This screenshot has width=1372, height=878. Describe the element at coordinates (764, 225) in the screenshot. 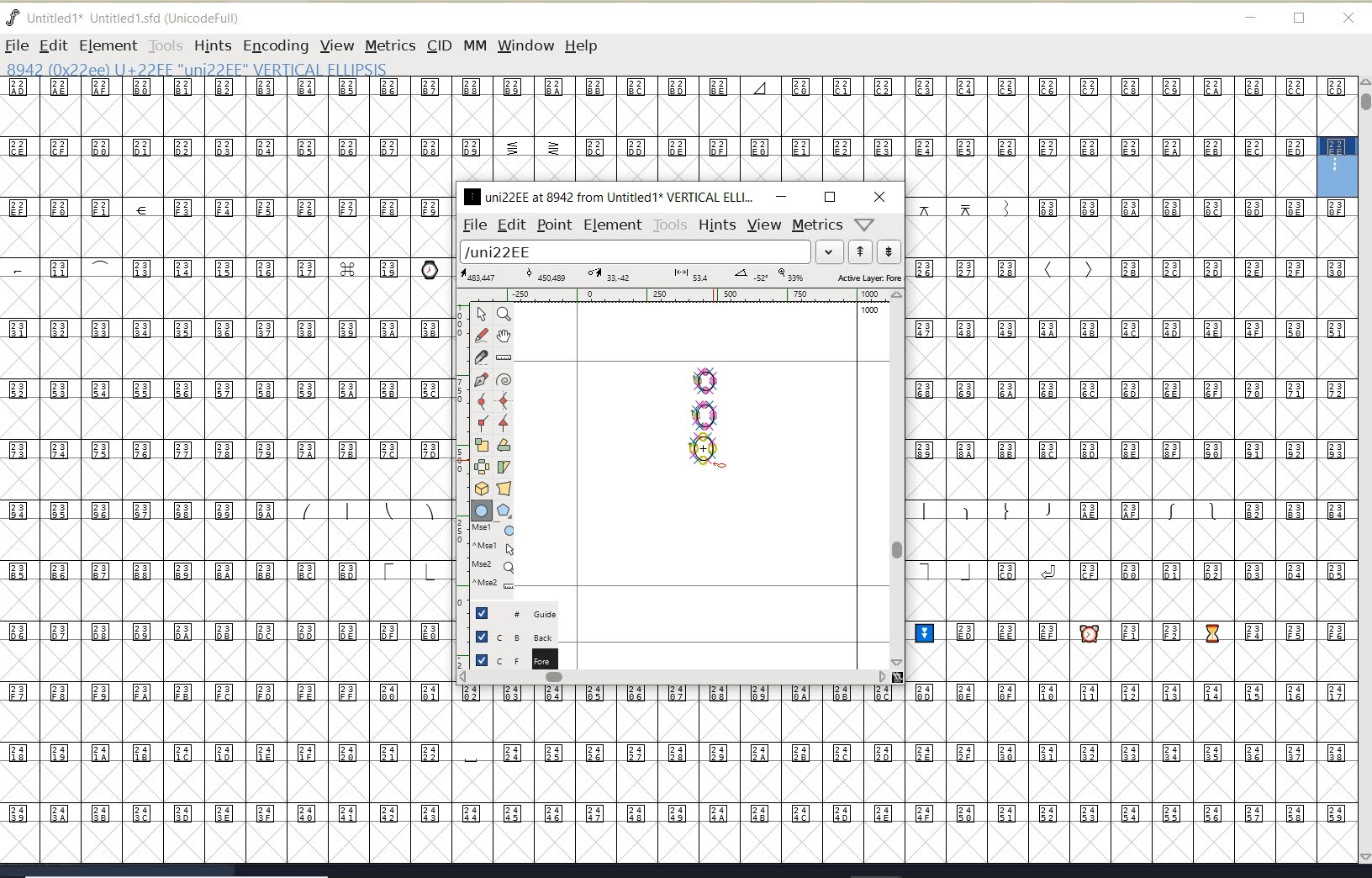

I see `view` at that location.